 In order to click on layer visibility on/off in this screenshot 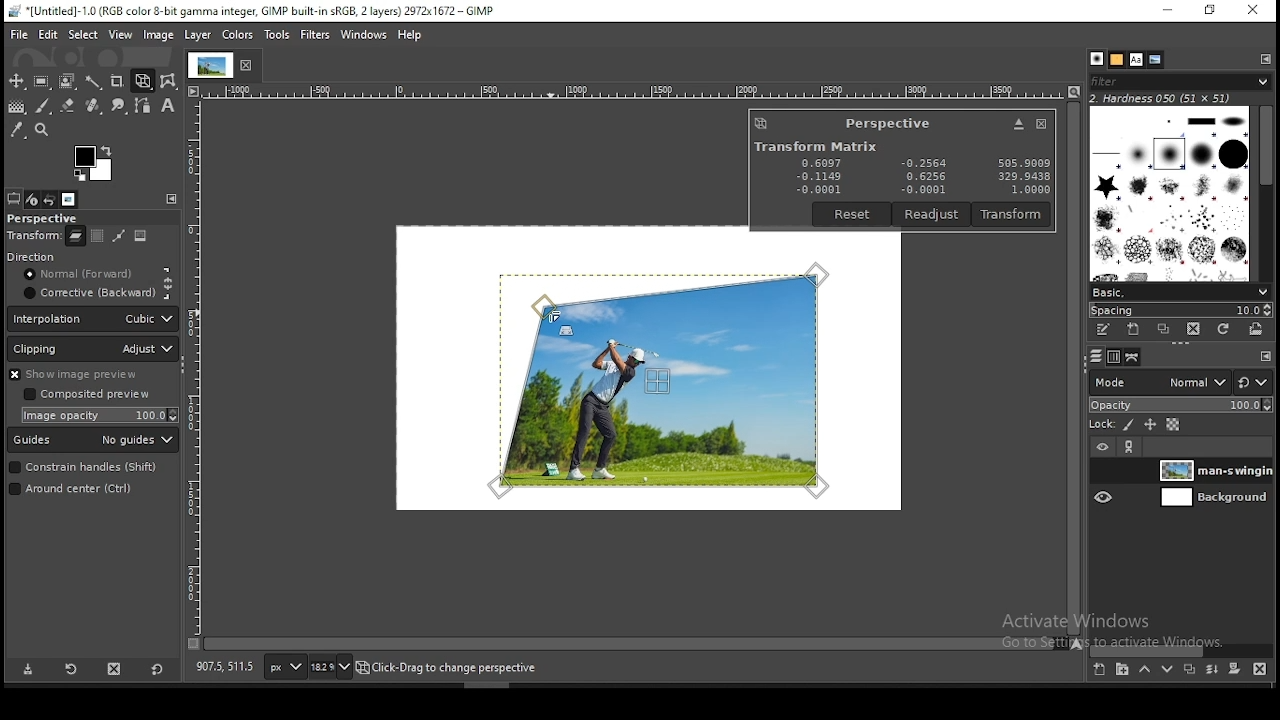, I will do `click(1104, 499)`.